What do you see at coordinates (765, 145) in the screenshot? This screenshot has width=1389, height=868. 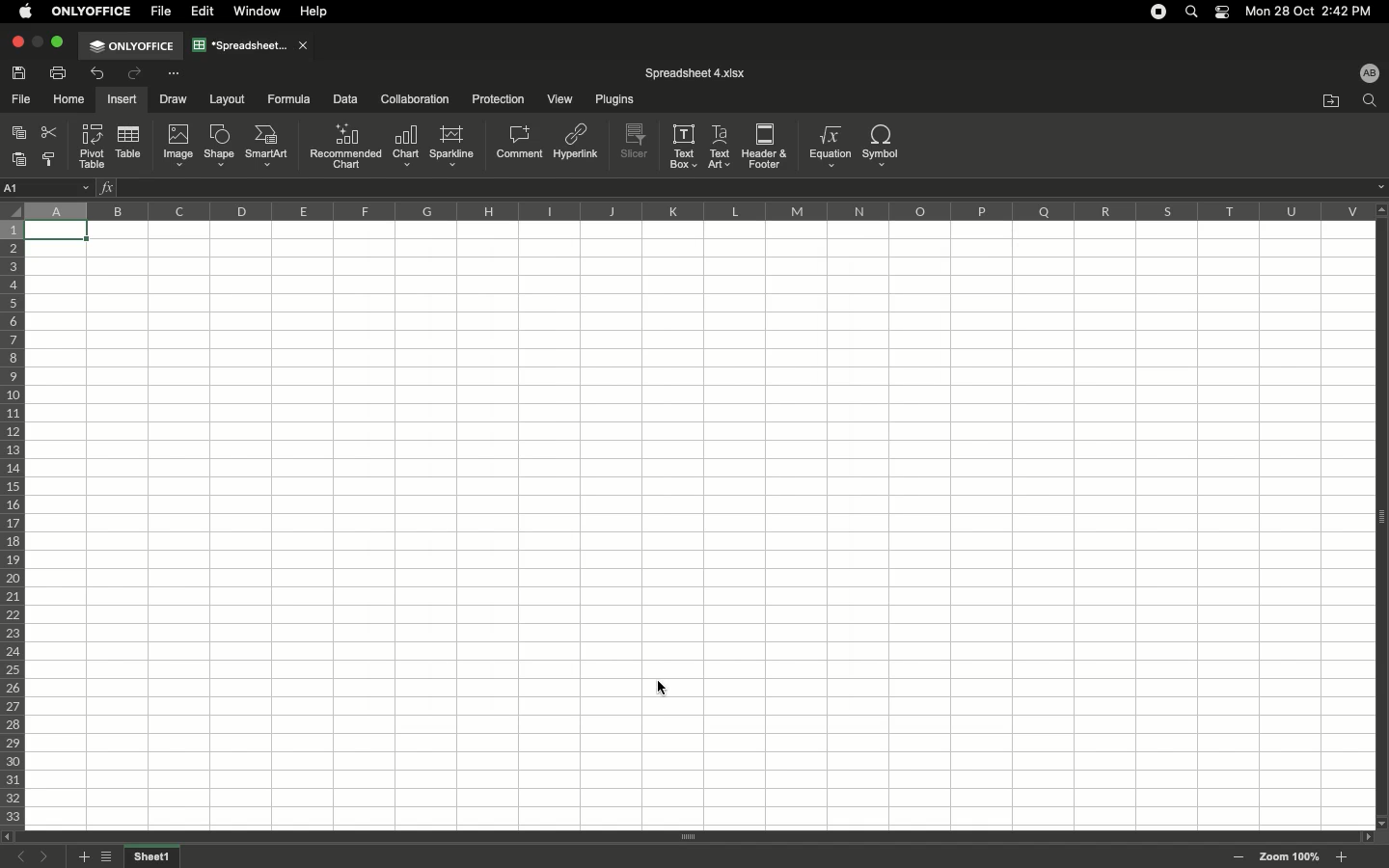 I see `Header&Footer` at bounding box center [765, 145].